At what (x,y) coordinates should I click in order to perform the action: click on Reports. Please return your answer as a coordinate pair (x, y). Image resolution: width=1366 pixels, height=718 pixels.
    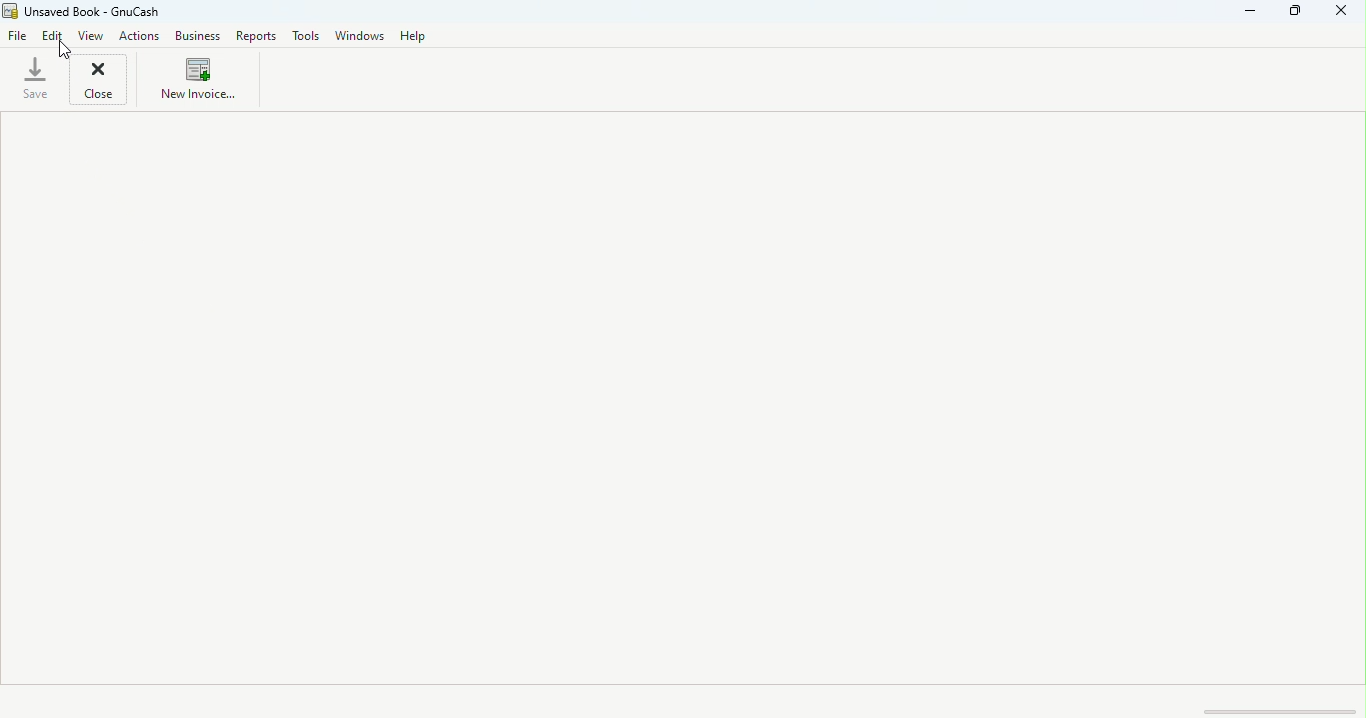
    Looking at the image, I should click on (260, 34).